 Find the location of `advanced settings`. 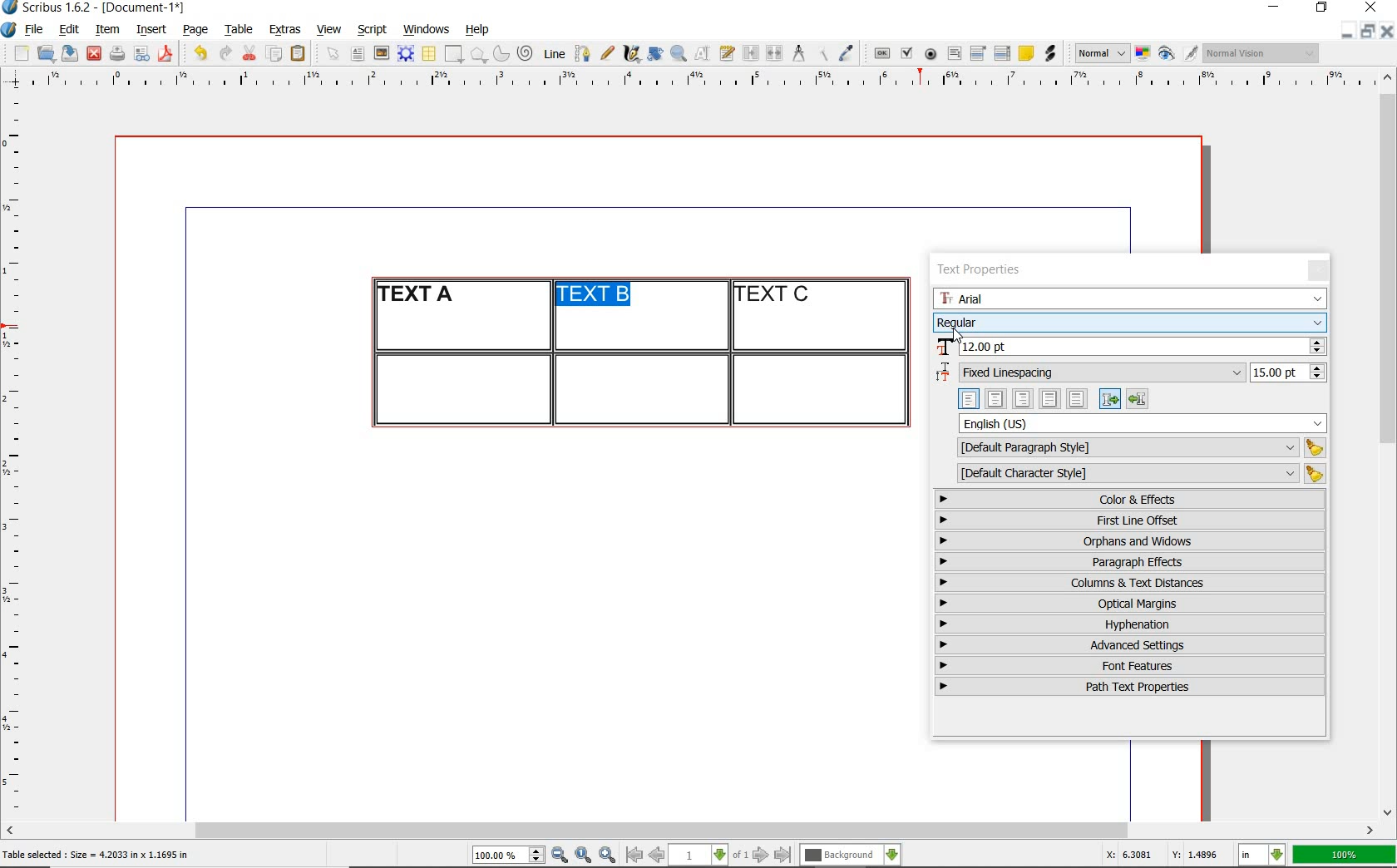

advanced settings is located at coordinates (1128, 644).